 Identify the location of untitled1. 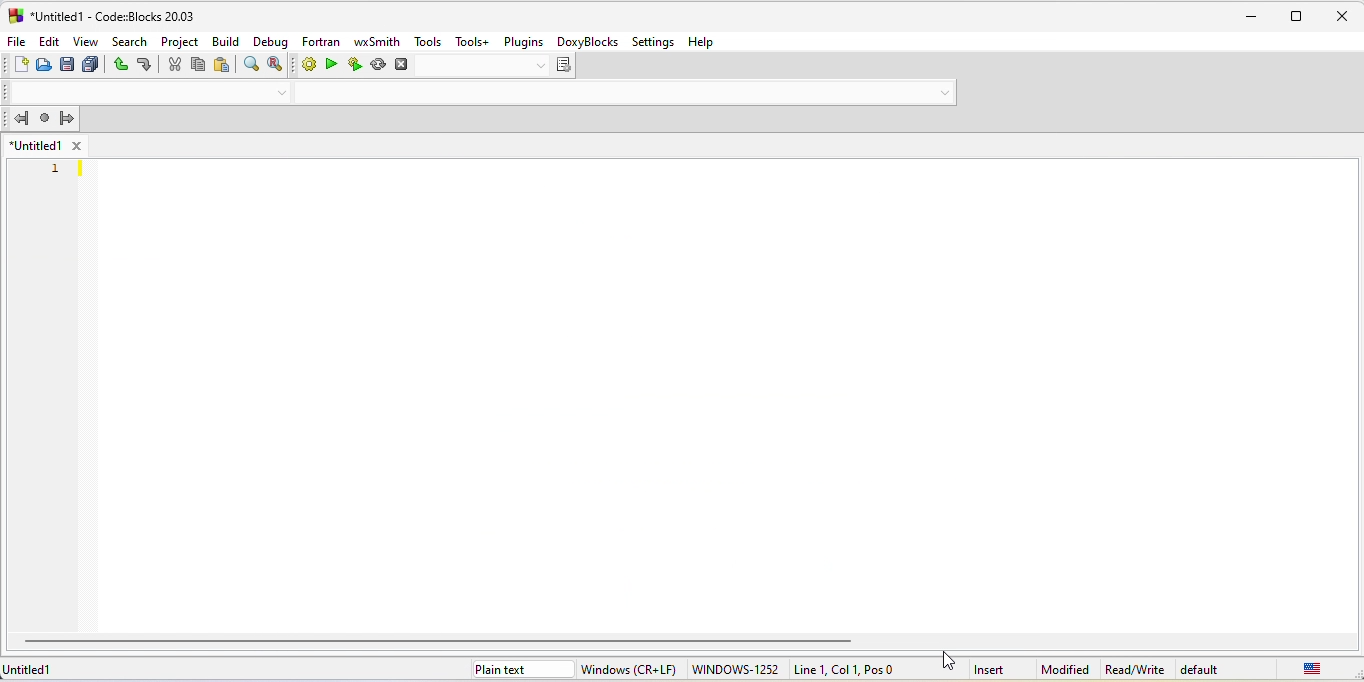
(32, 669).